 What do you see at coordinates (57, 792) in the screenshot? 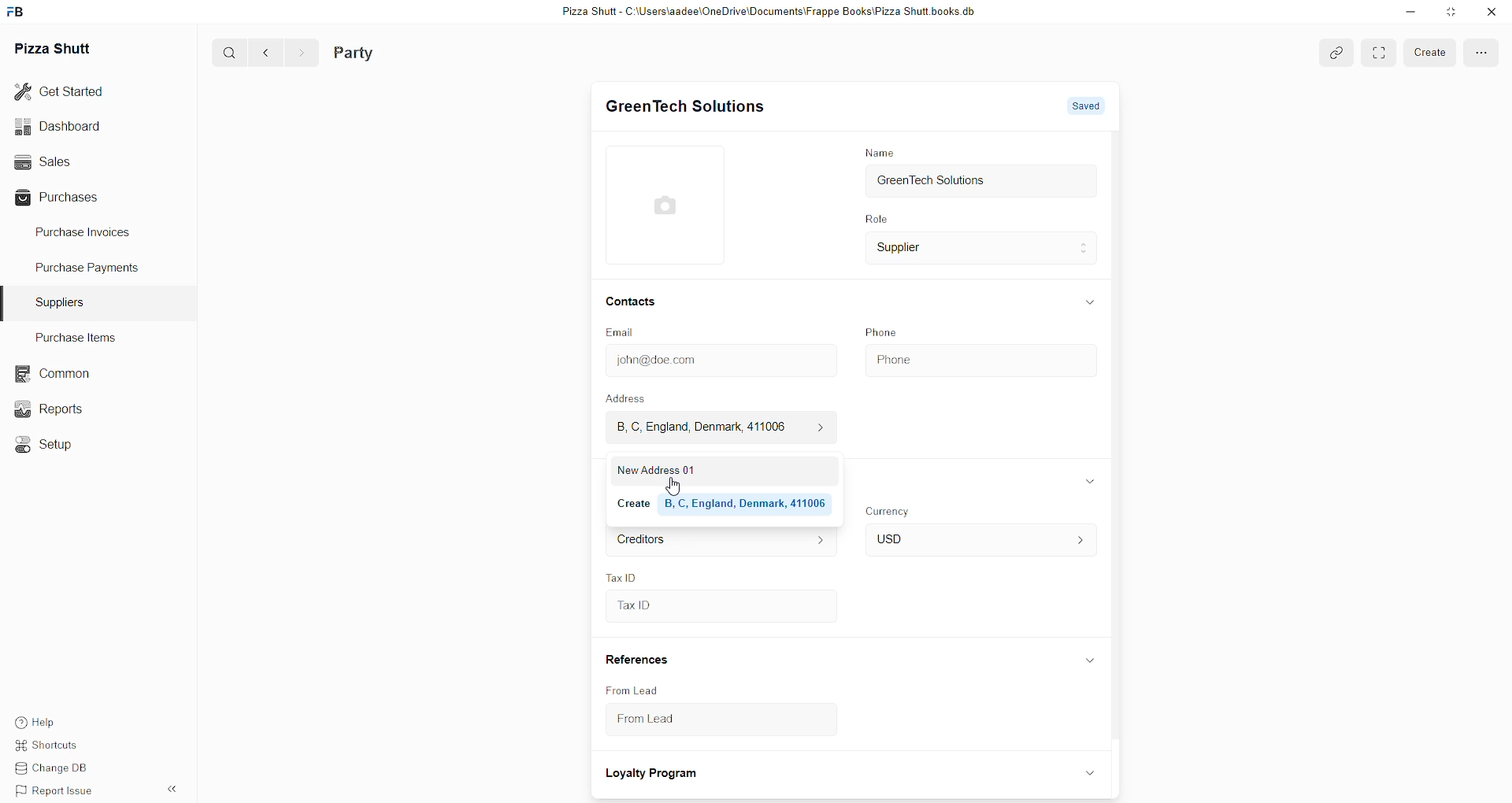
I see `J Report Issue` at bounding box center [57, 792].